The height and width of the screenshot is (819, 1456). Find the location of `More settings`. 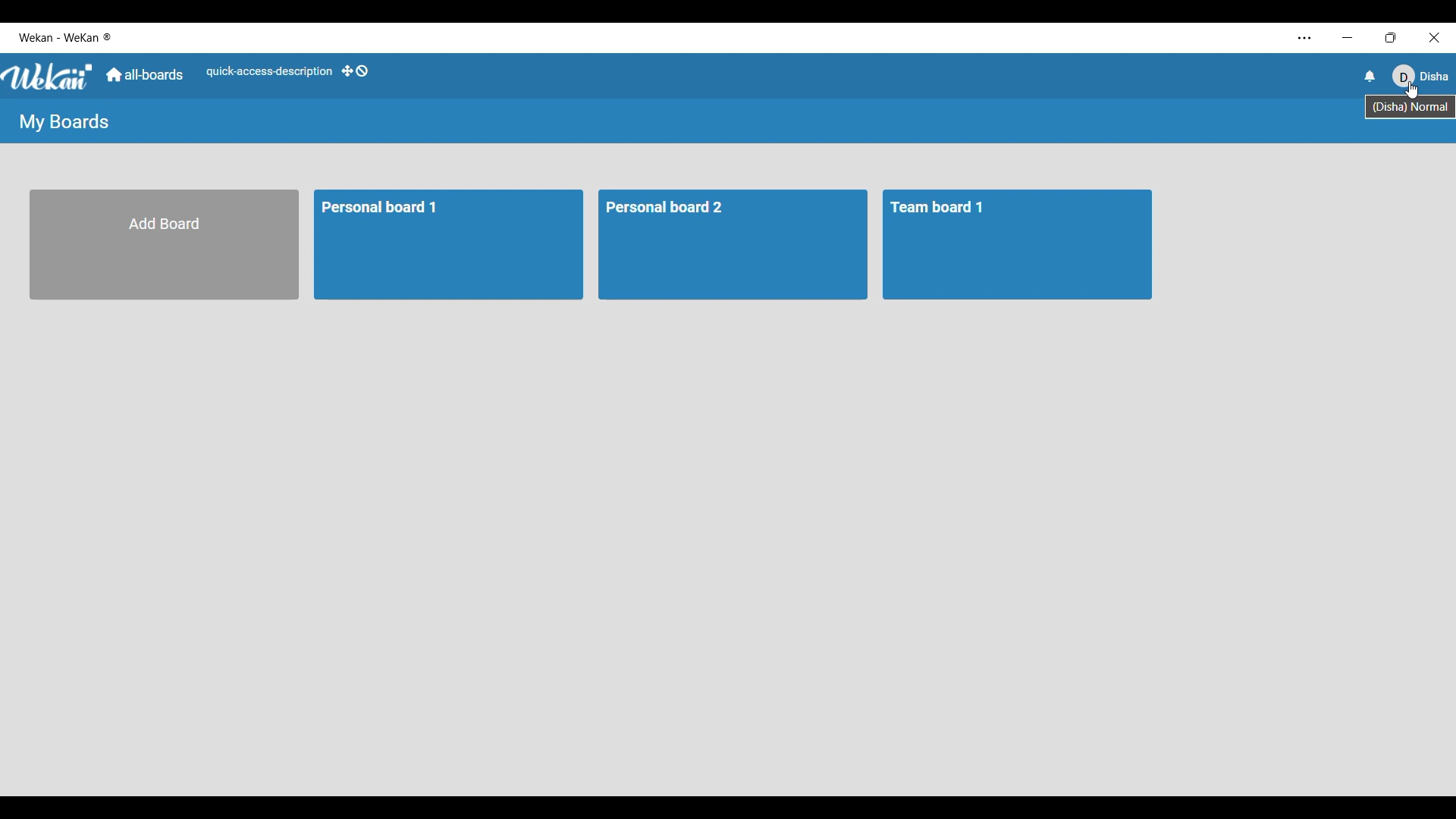

More settings is located at coordinates (1304, 39).